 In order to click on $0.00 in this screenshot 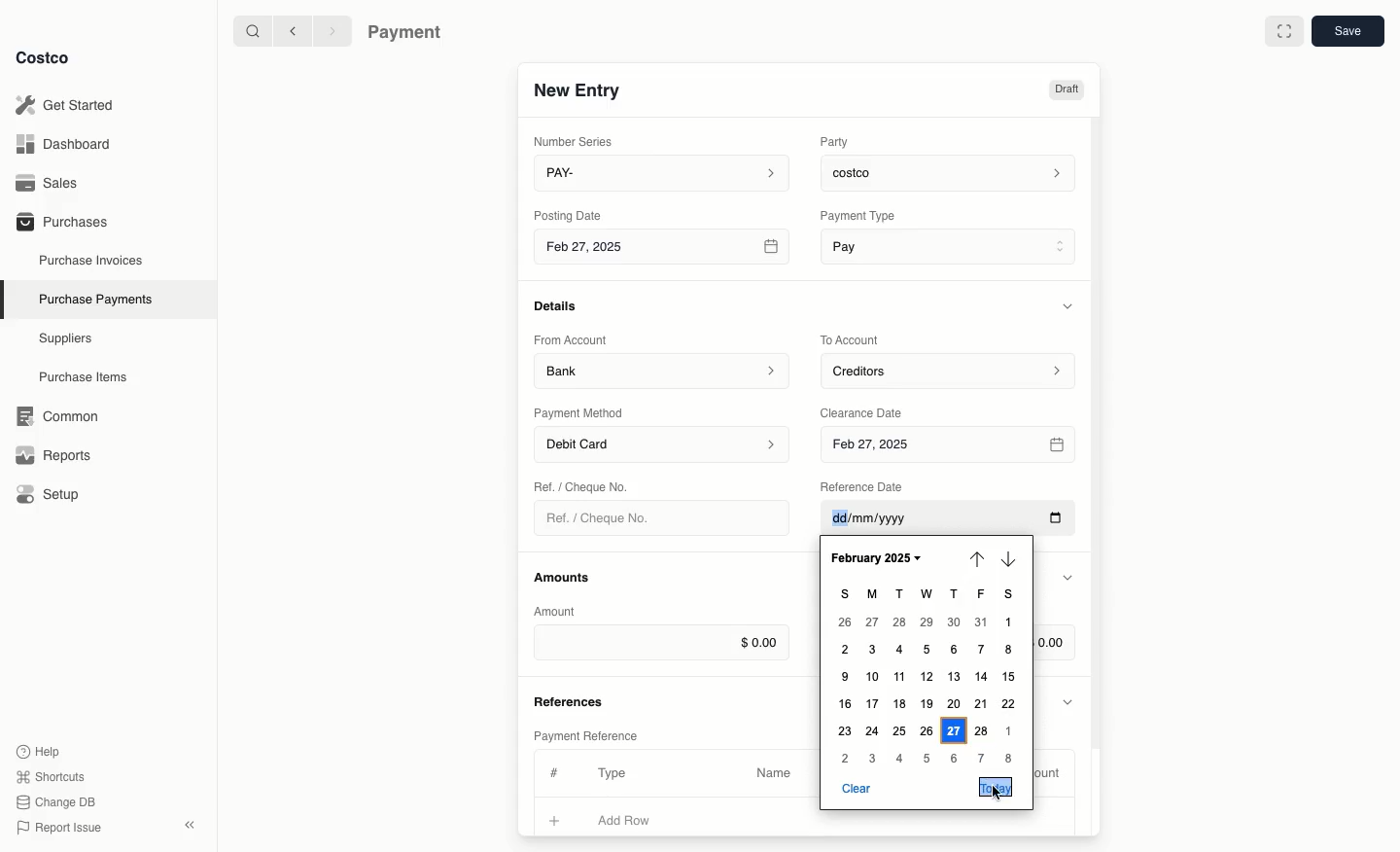, I will do `click(1055, 640)`.